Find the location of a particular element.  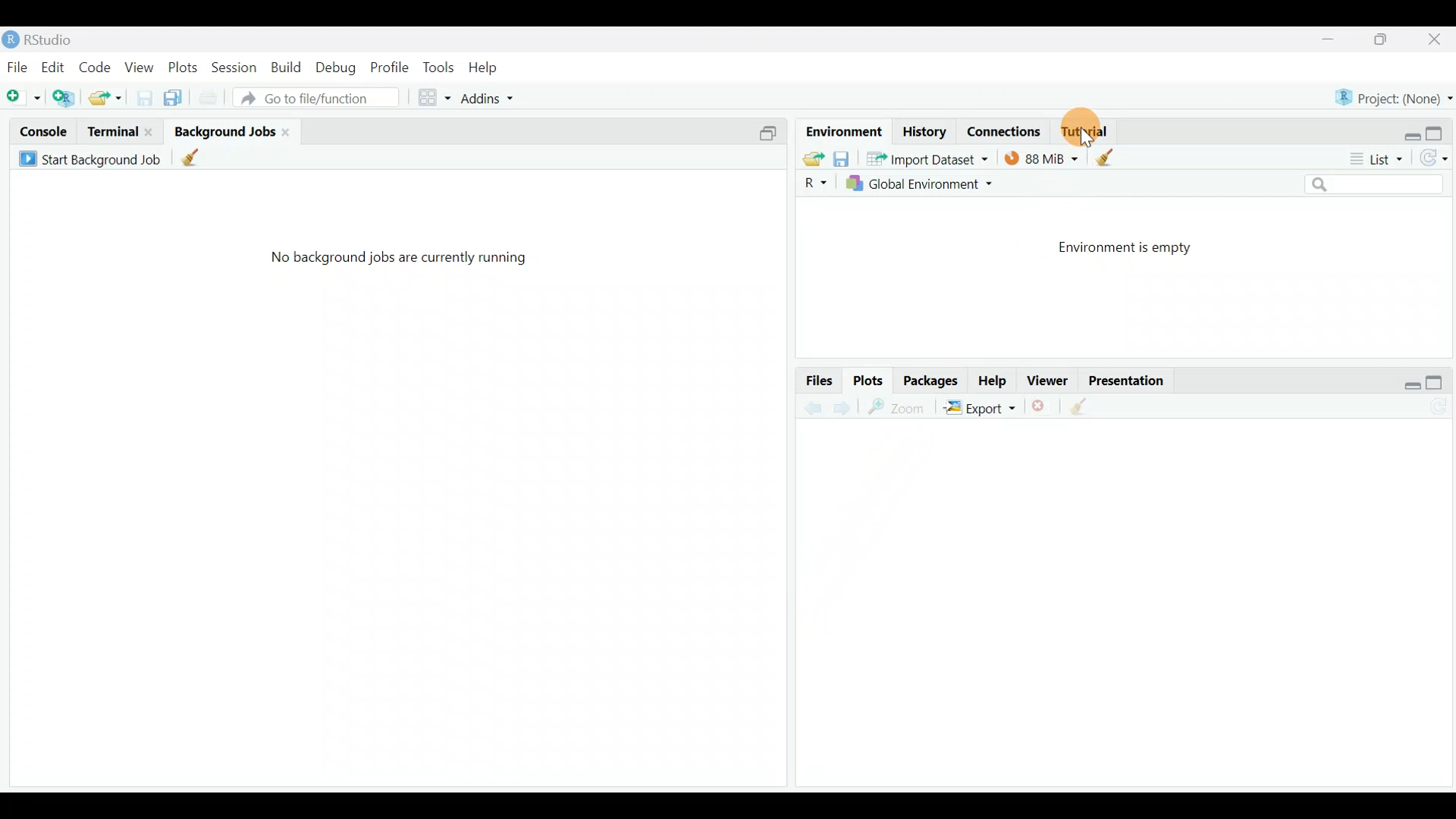

Go to file/function is located at coordinates (322, 99).